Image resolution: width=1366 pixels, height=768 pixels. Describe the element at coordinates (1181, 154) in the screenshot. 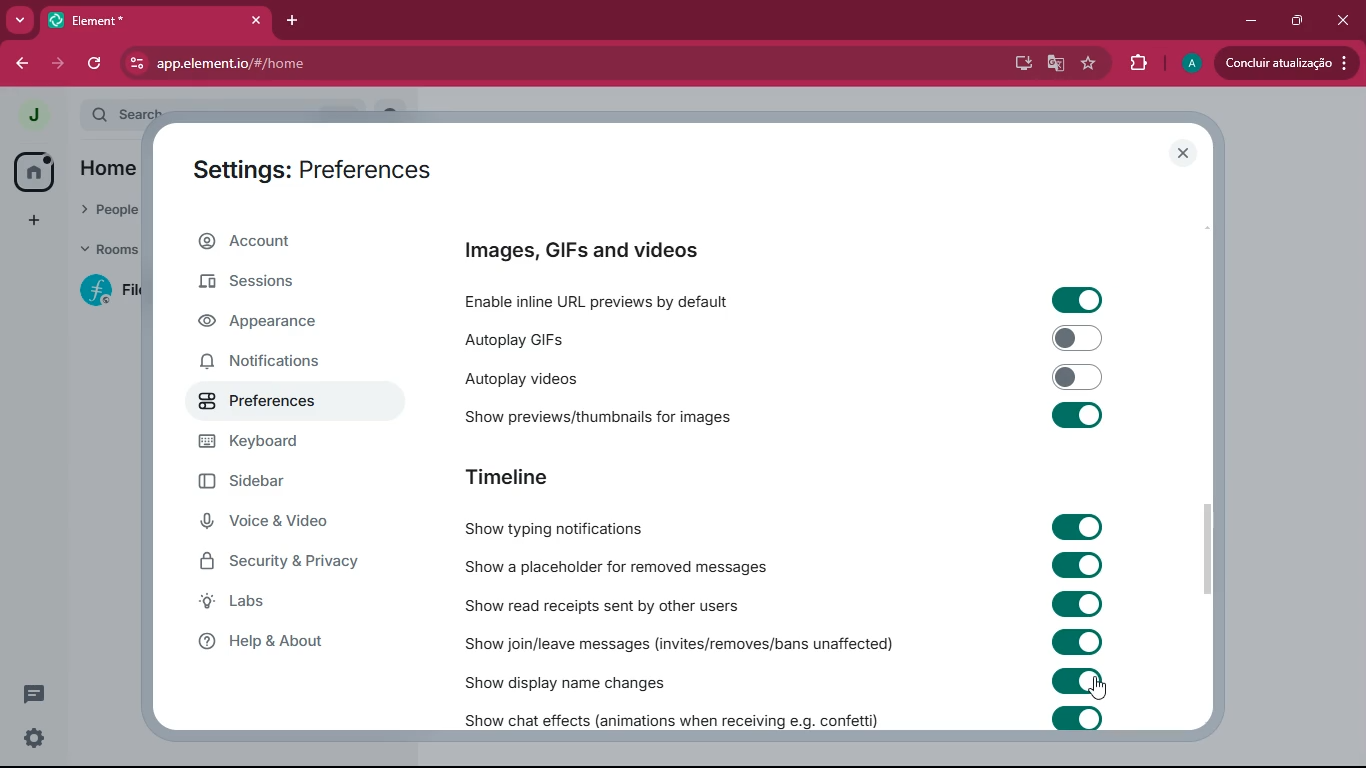

I see `close` at that location.